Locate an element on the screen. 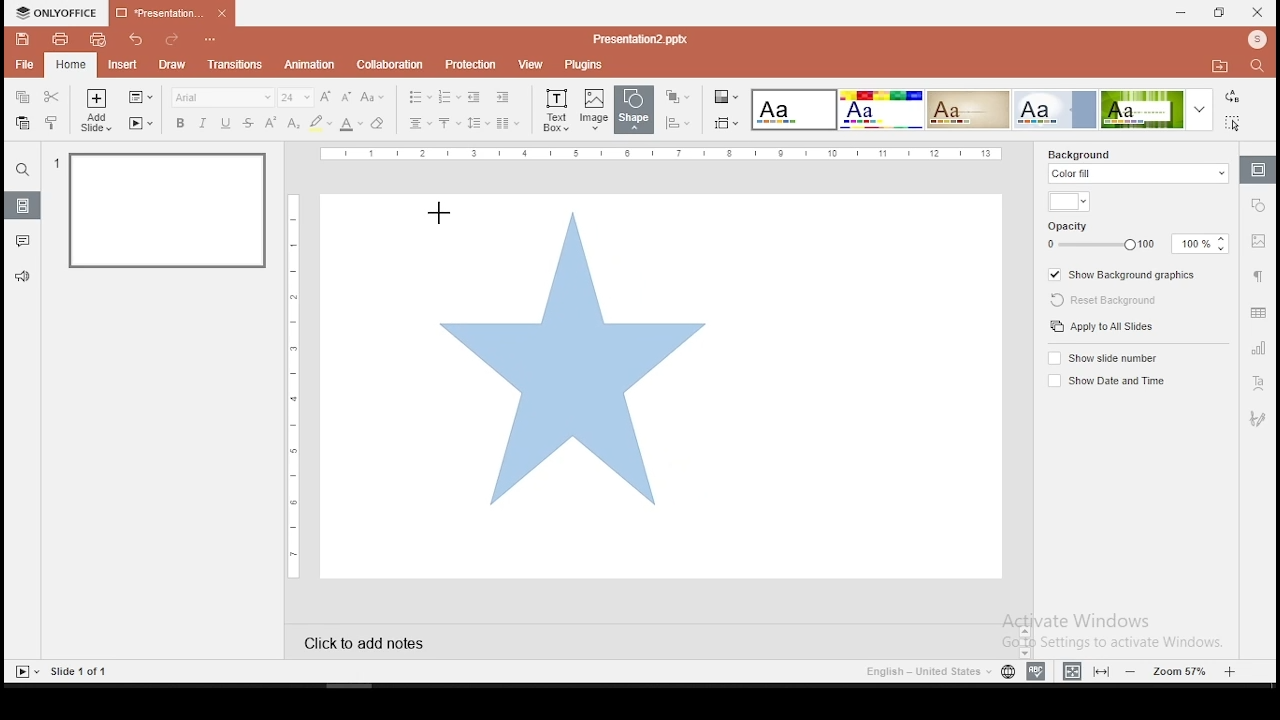  vertical alignment is located at coordinates (448, 124).